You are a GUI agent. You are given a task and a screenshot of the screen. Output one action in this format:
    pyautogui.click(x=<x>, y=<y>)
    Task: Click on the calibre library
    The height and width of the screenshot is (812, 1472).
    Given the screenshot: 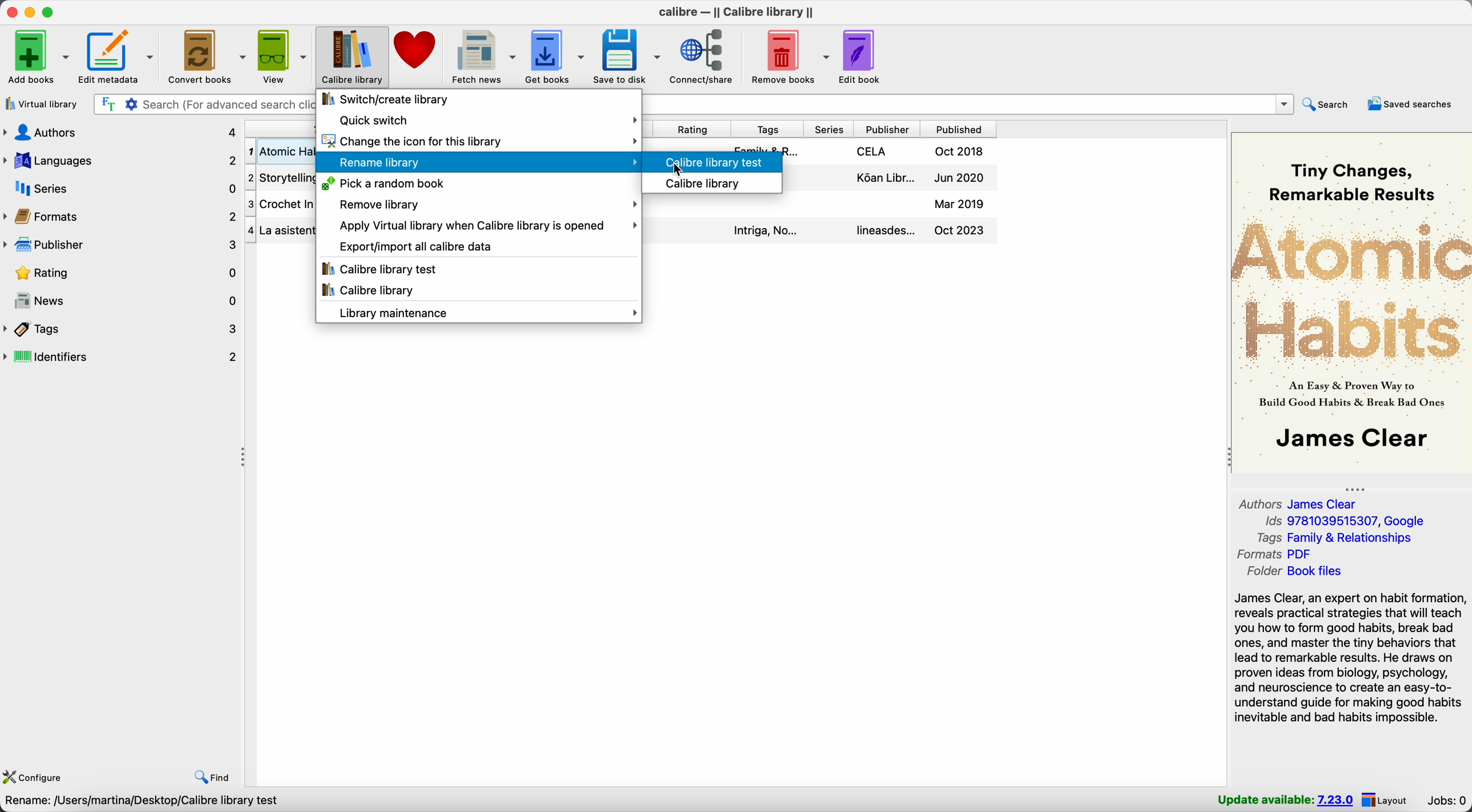 What is the action you would take?
    pyautogui.click(x=697, y=185)
    